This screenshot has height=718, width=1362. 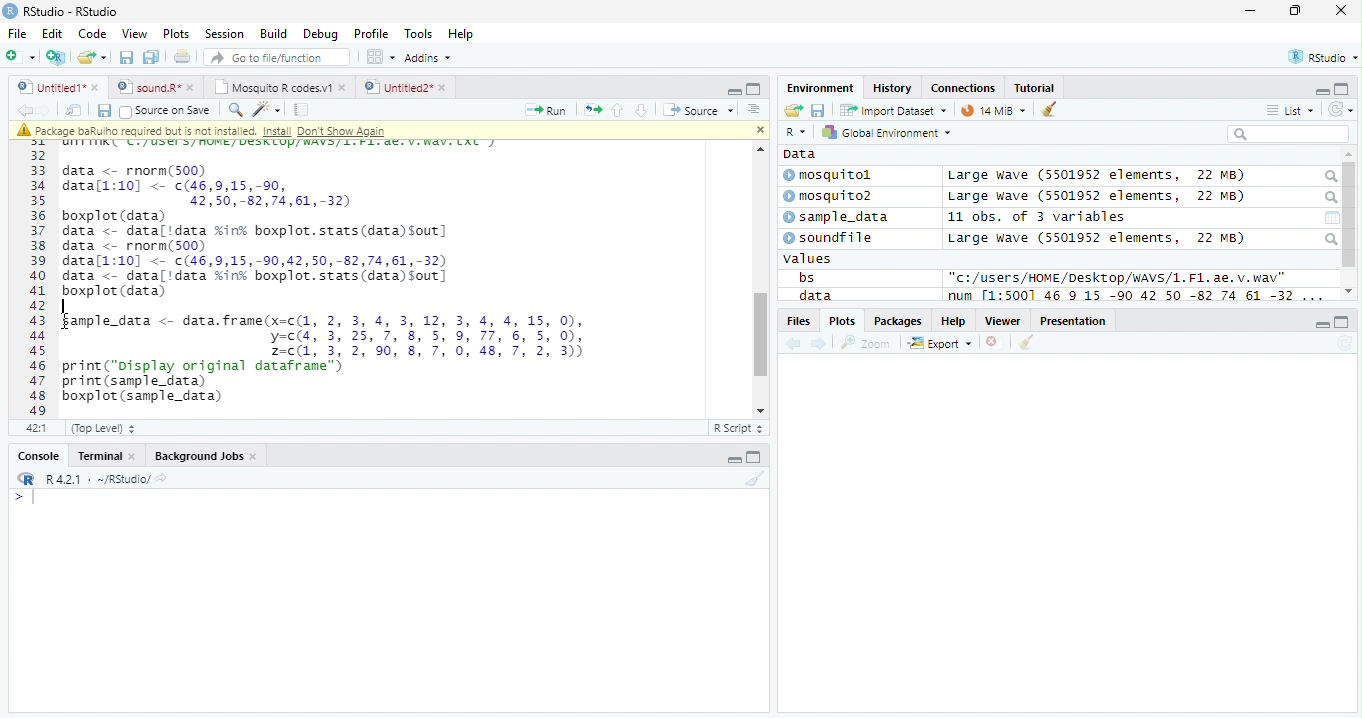 I want to click on Build, so click(x=274, y=33).